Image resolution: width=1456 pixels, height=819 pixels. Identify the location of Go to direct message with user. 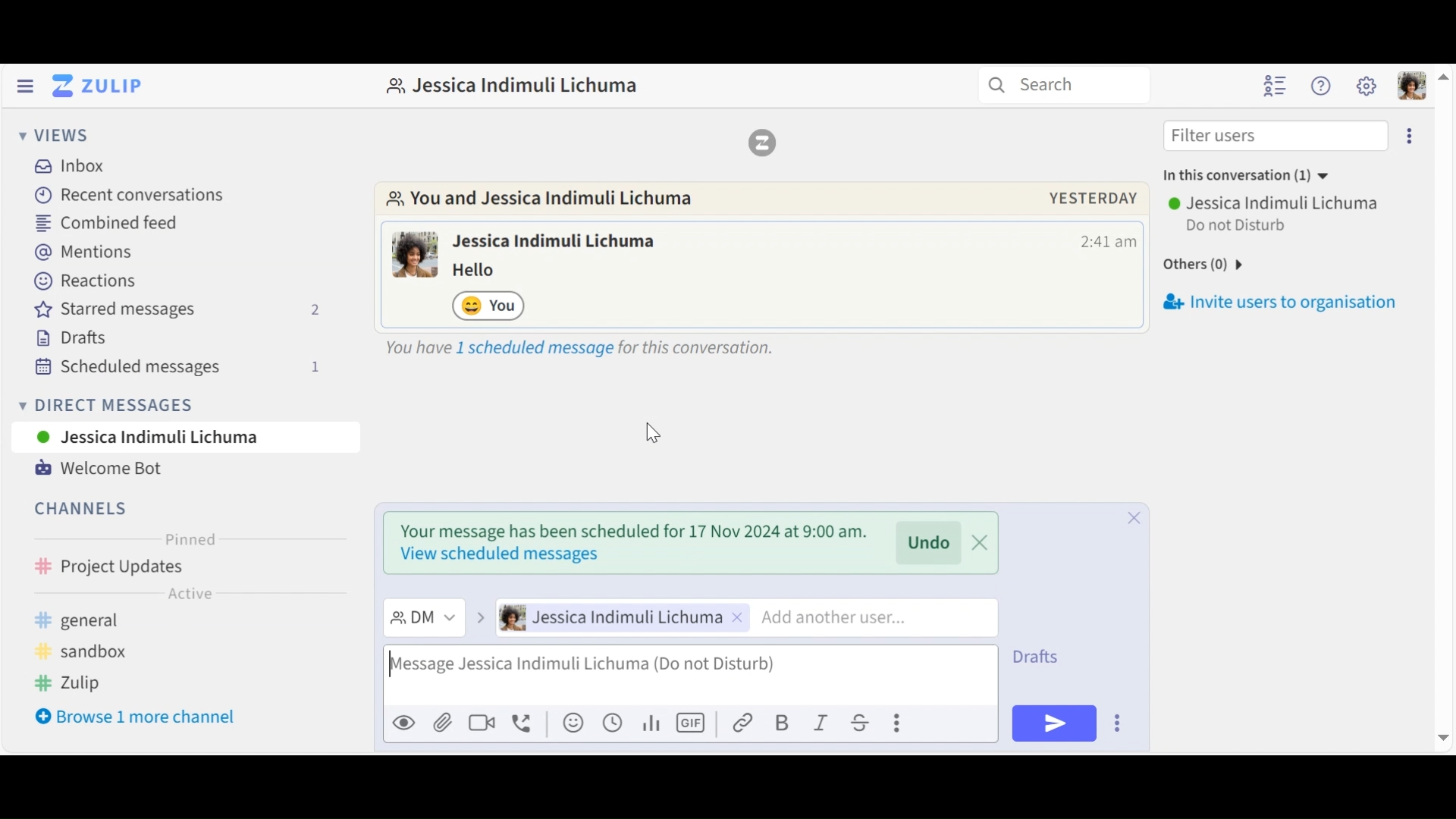
(551, 200).